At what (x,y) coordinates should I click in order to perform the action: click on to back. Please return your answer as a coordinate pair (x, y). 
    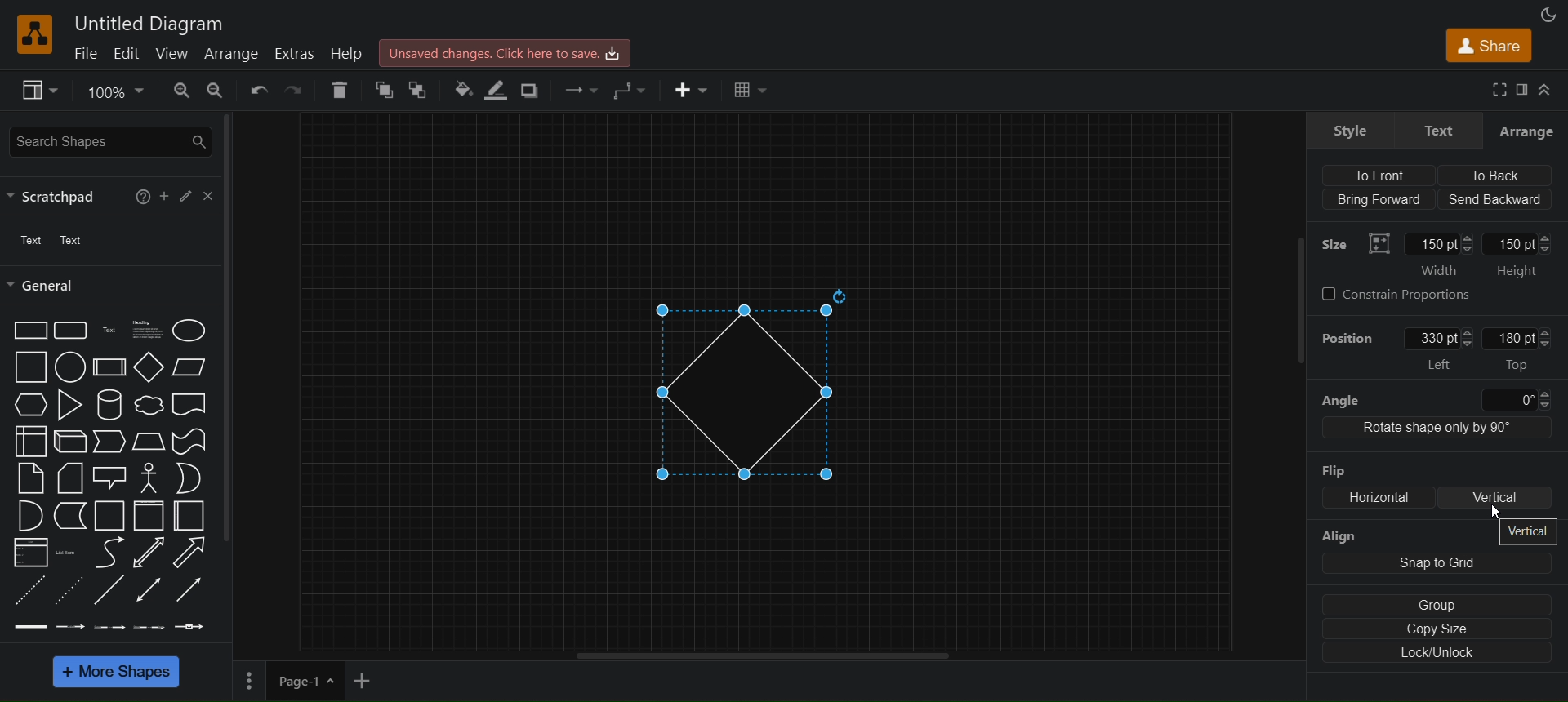
    Looking at the image, I should click on (420, 88).